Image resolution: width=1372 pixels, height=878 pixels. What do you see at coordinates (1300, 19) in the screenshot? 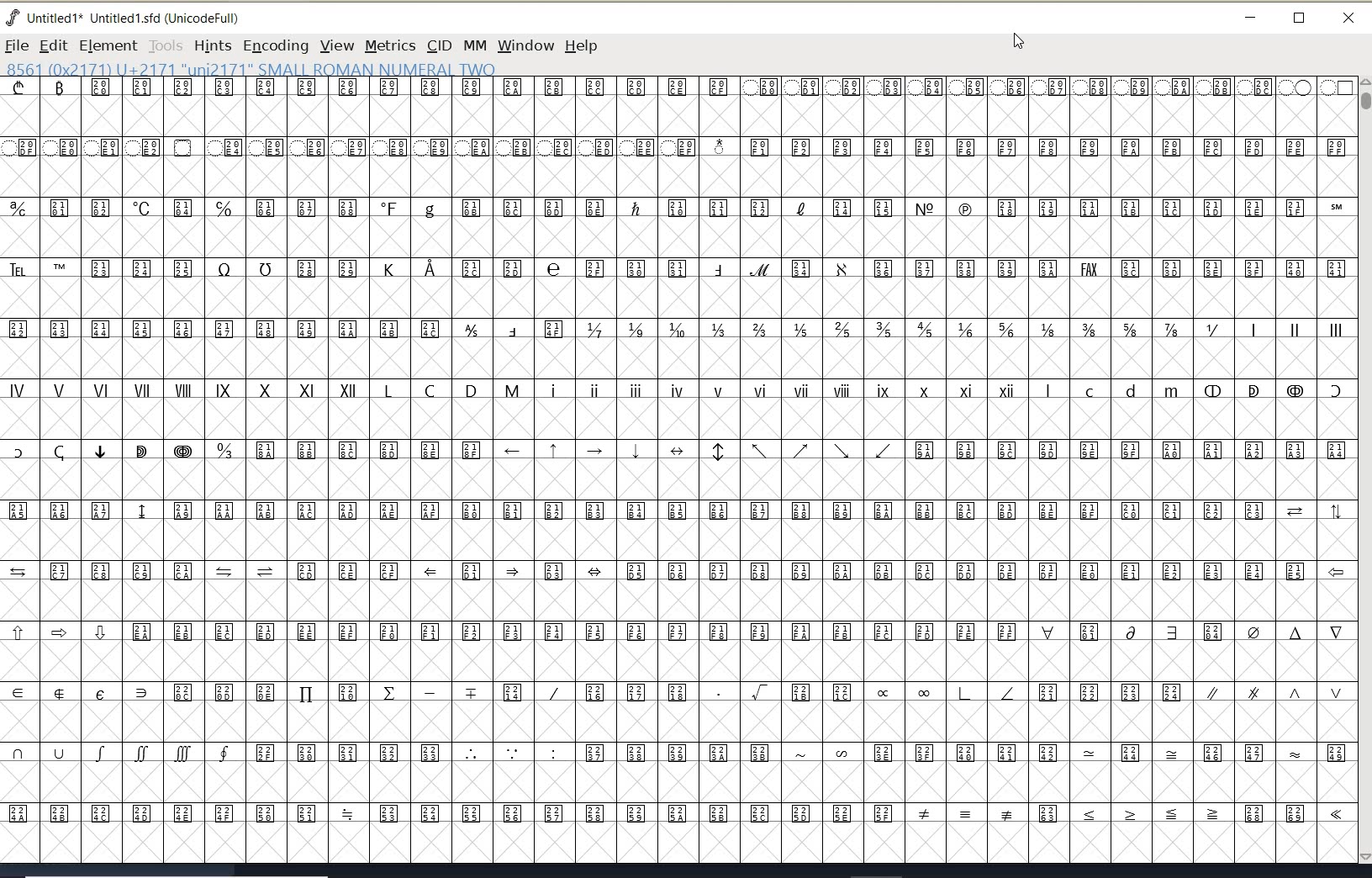
I see `restore` at bounding box center [1300, 19].